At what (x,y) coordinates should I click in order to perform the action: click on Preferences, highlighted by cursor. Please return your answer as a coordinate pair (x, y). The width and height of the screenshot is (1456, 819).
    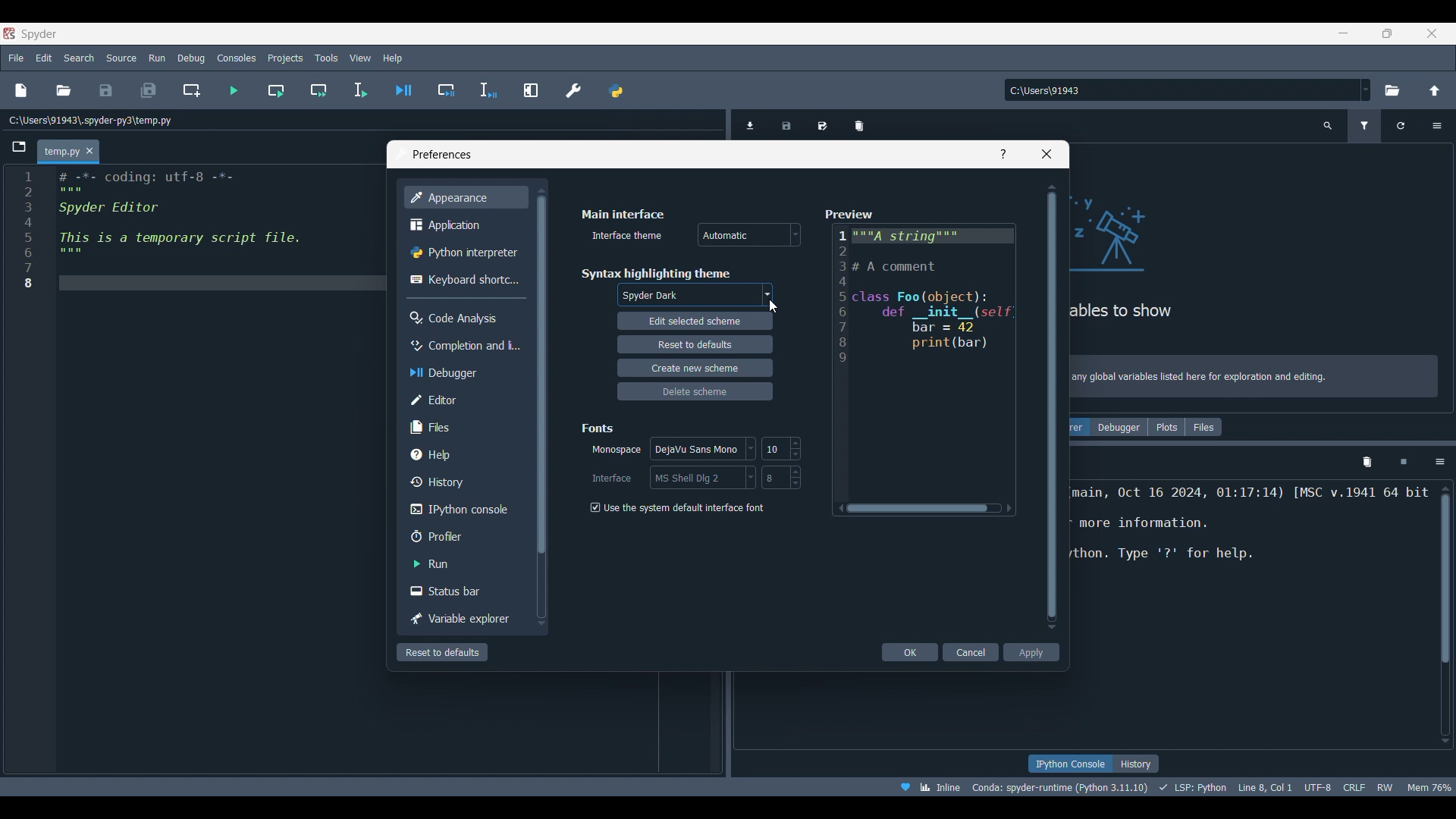
    Looking at the image, I should click on (569, 88).